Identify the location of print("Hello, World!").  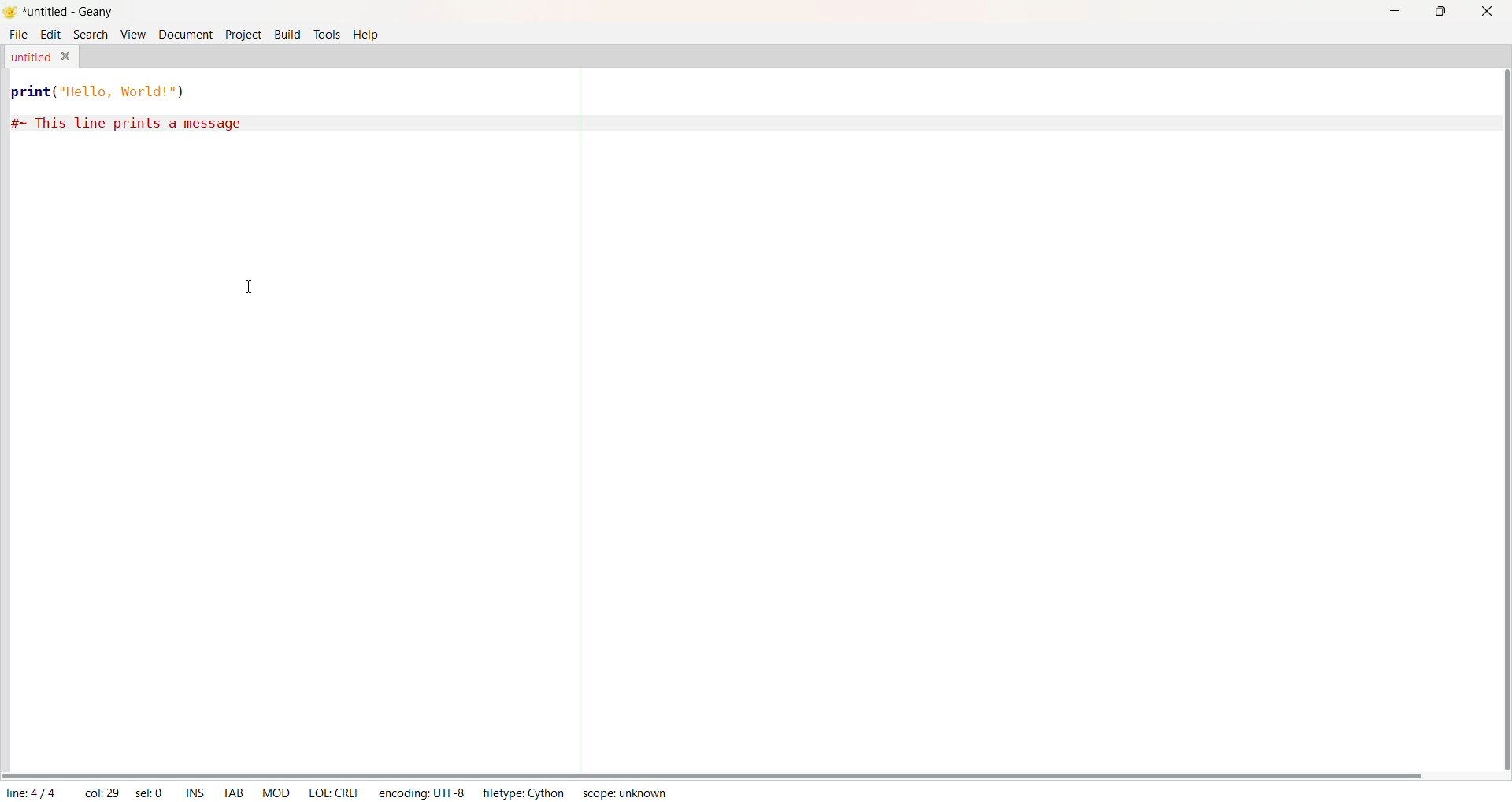
(103, 93).